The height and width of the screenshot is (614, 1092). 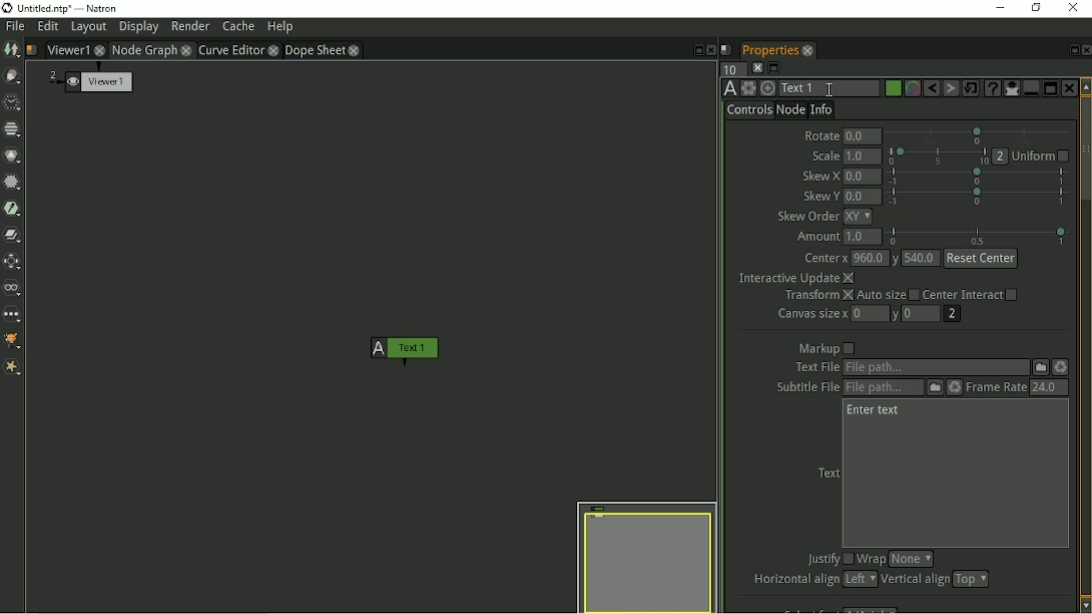 I want to click on Preview, so click(x=646, y=556).